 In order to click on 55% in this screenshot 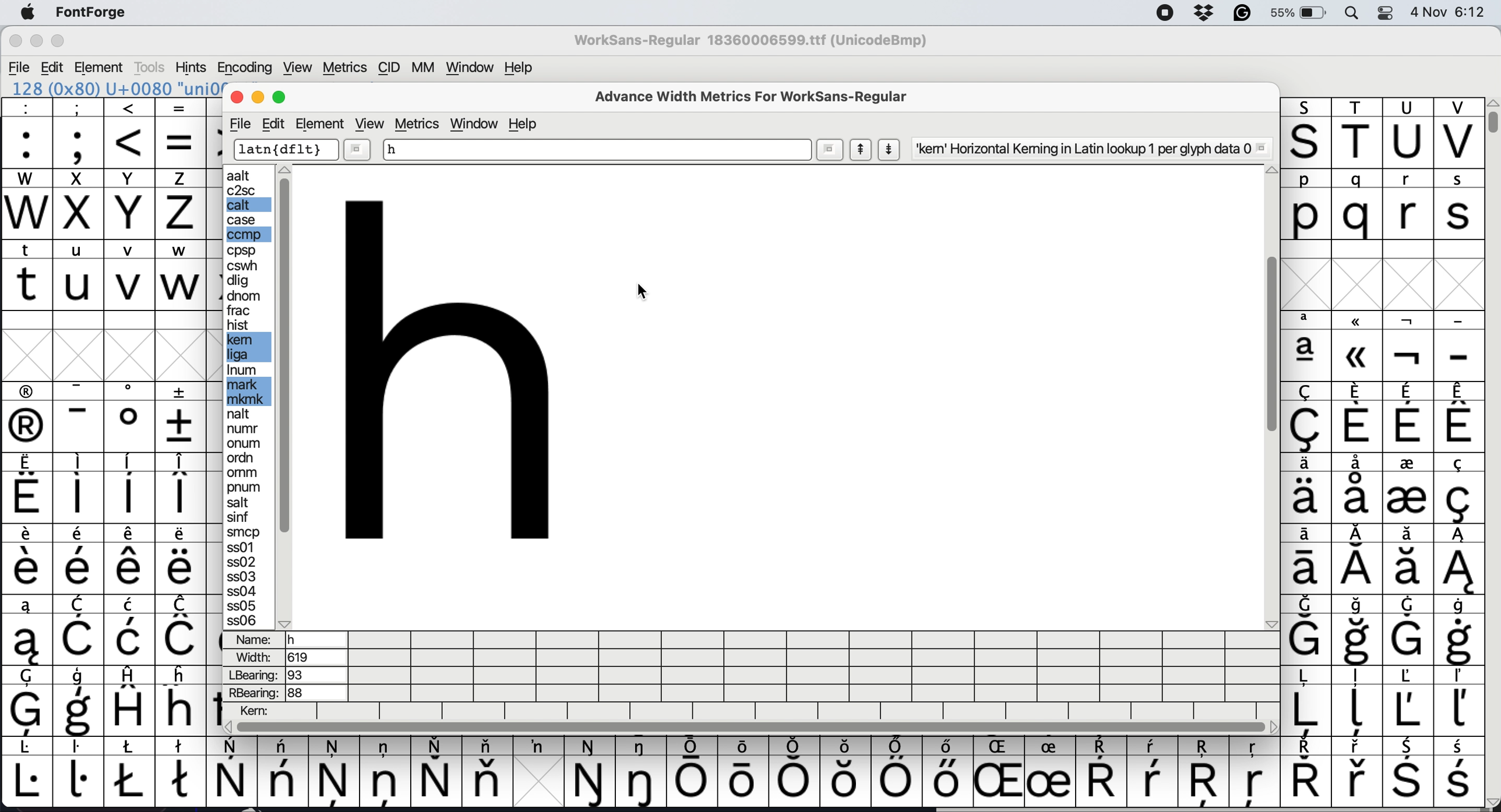, I will do `click(1295, 13)`.